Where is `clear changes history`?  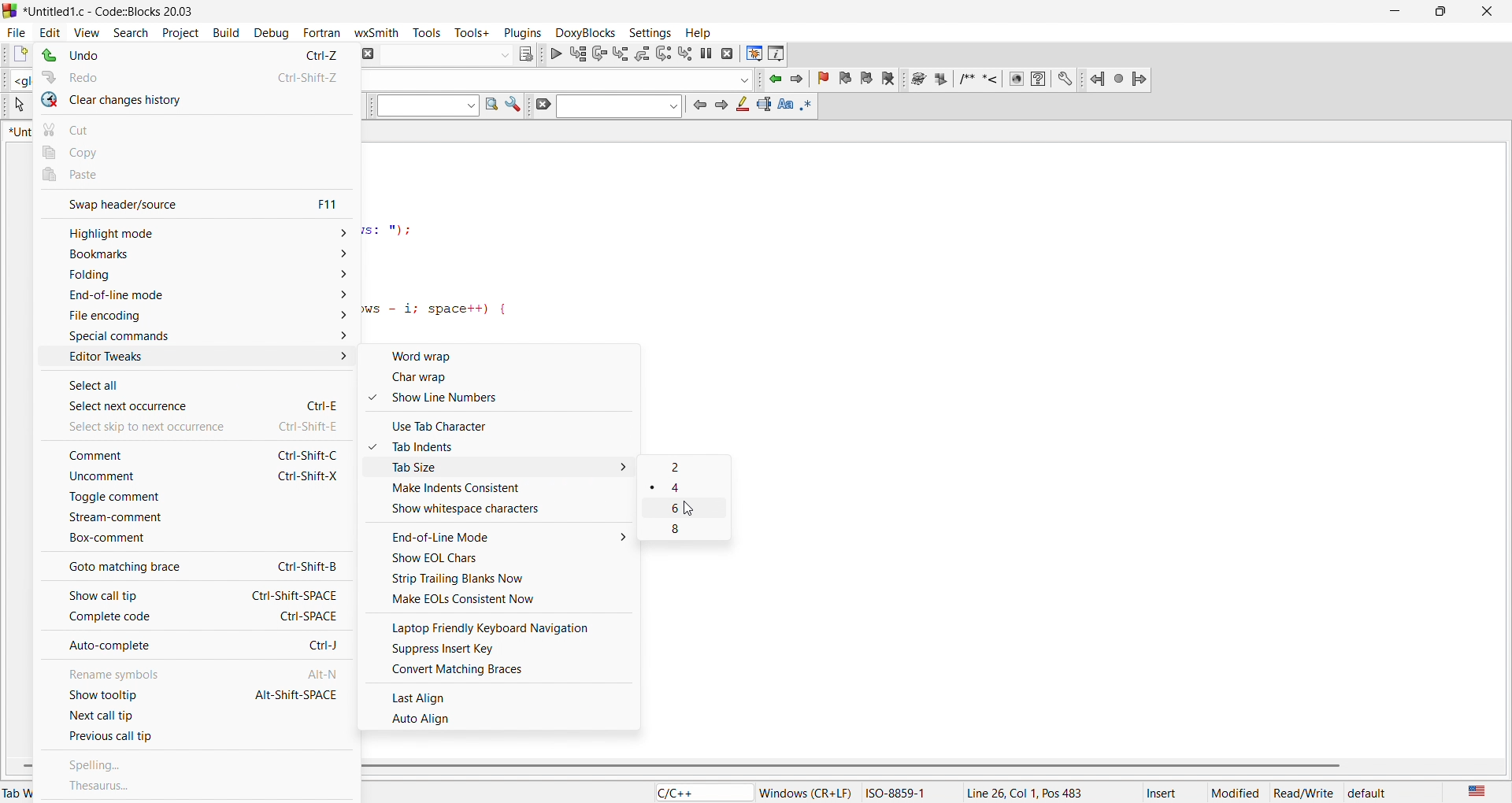
clear changes history is located at coordinates (195, 102).